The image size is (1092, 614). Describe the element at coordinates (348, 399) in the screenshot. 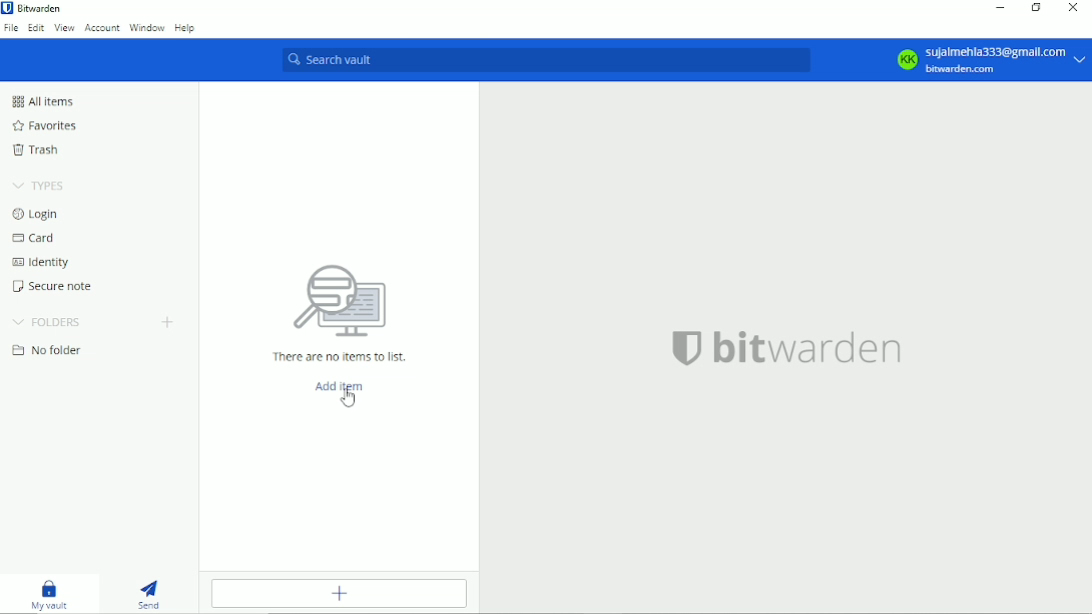

I see `cursor` at that location.